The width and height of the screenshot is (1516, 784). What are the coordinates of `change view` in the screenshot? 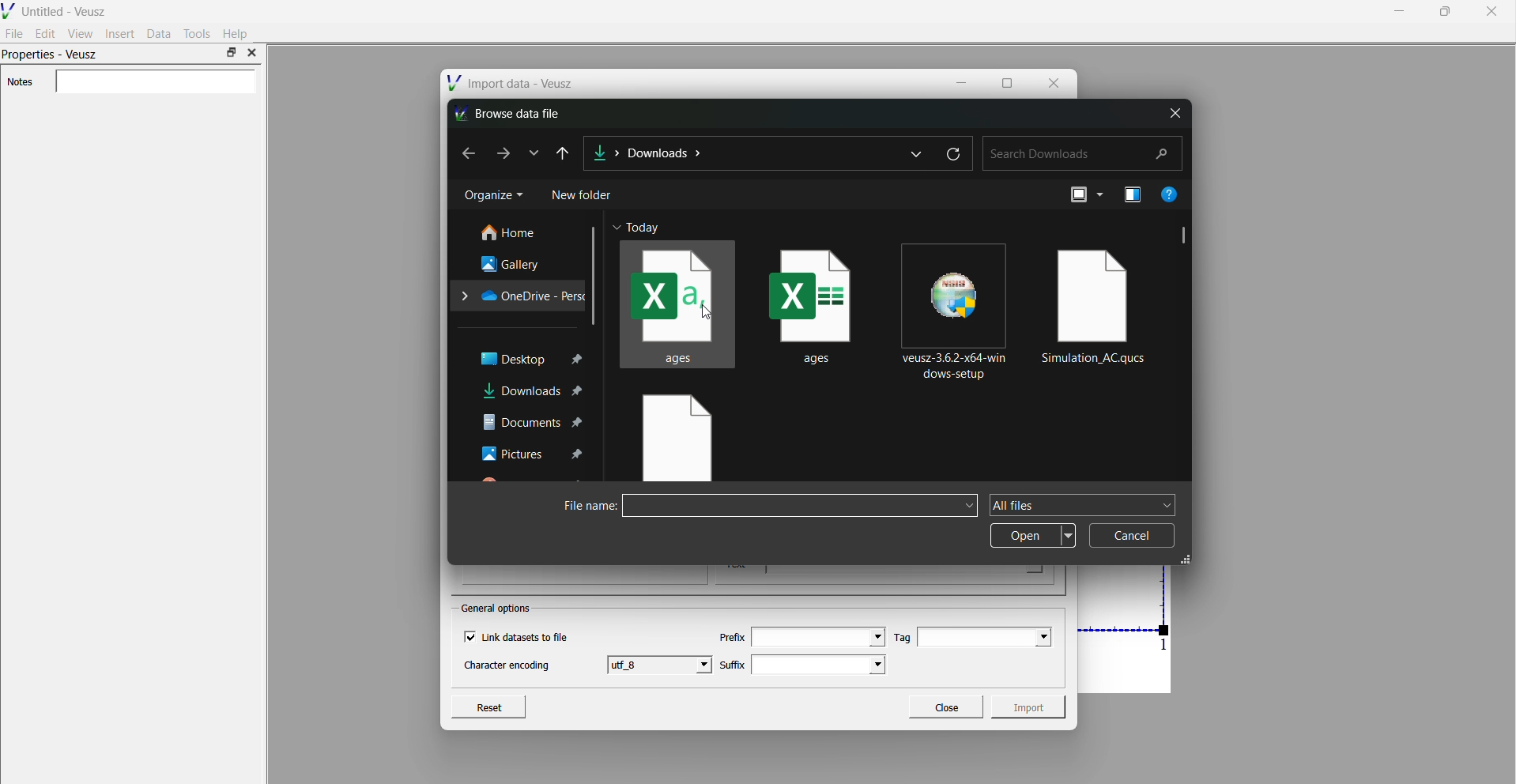 It's located at (1083, 194).